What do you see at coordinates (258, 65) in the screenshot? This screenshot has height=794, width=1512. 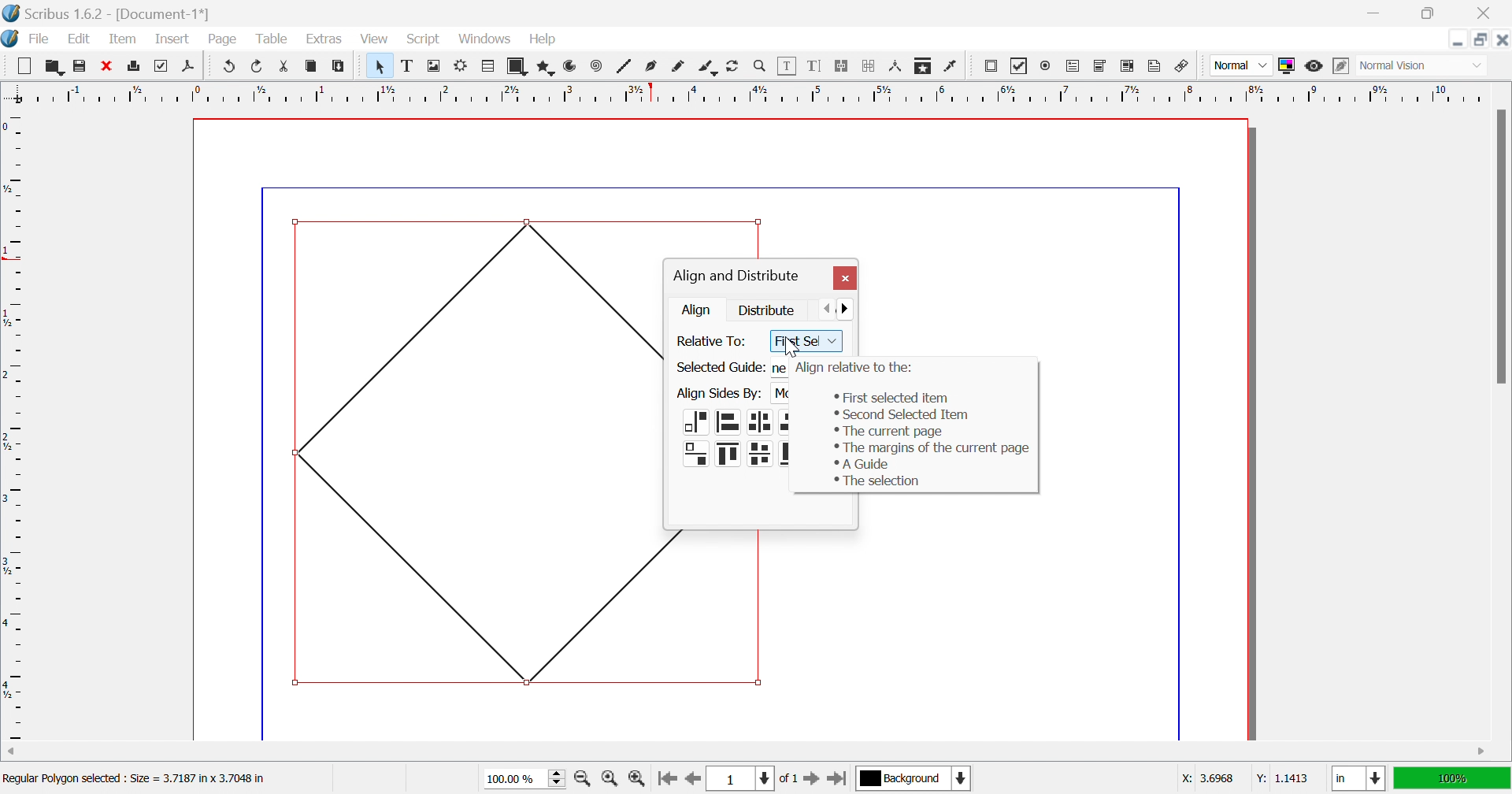 I see `Redo` at bounding box center [258, 65].